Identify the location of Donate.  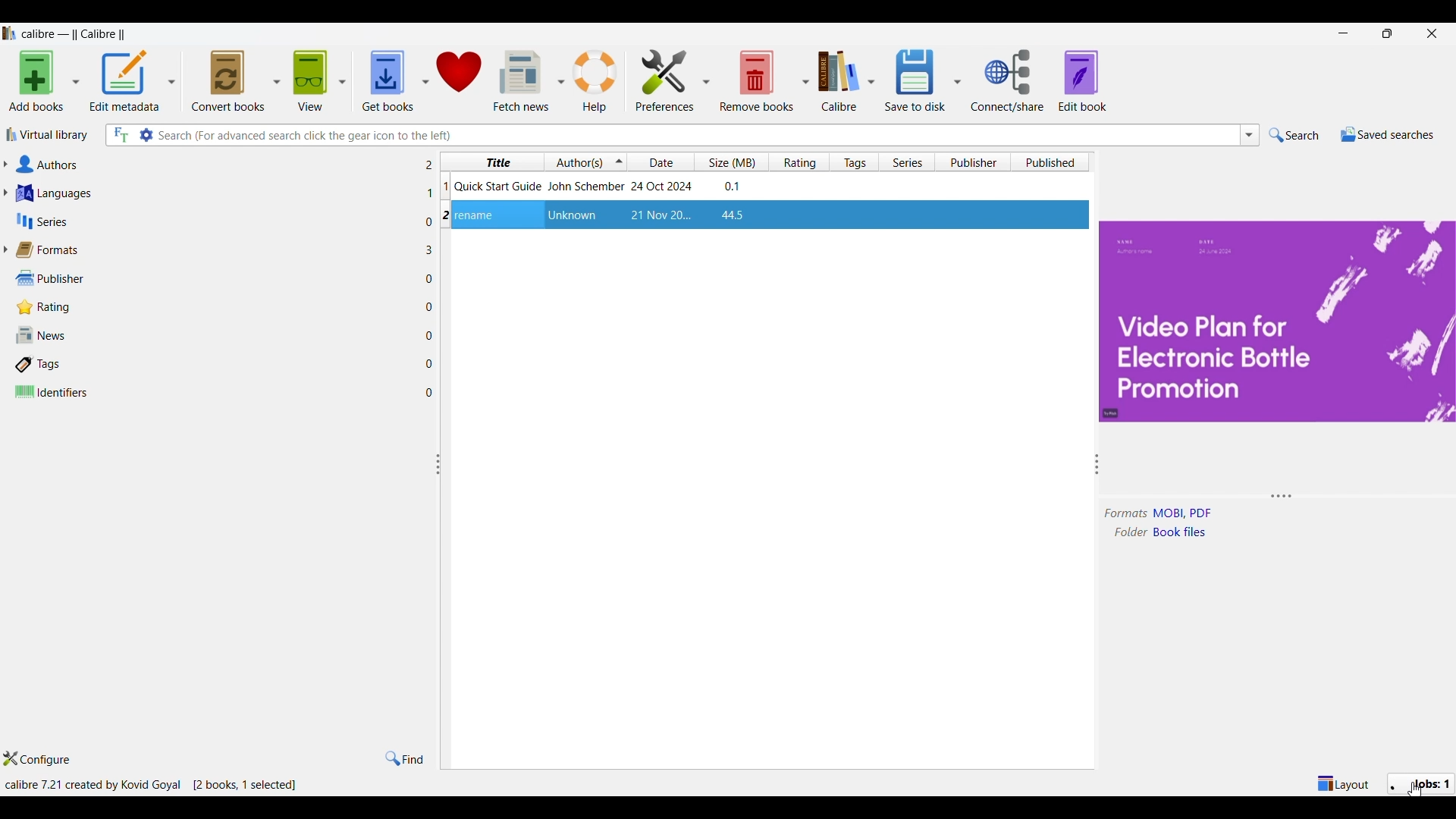
(459, 80).